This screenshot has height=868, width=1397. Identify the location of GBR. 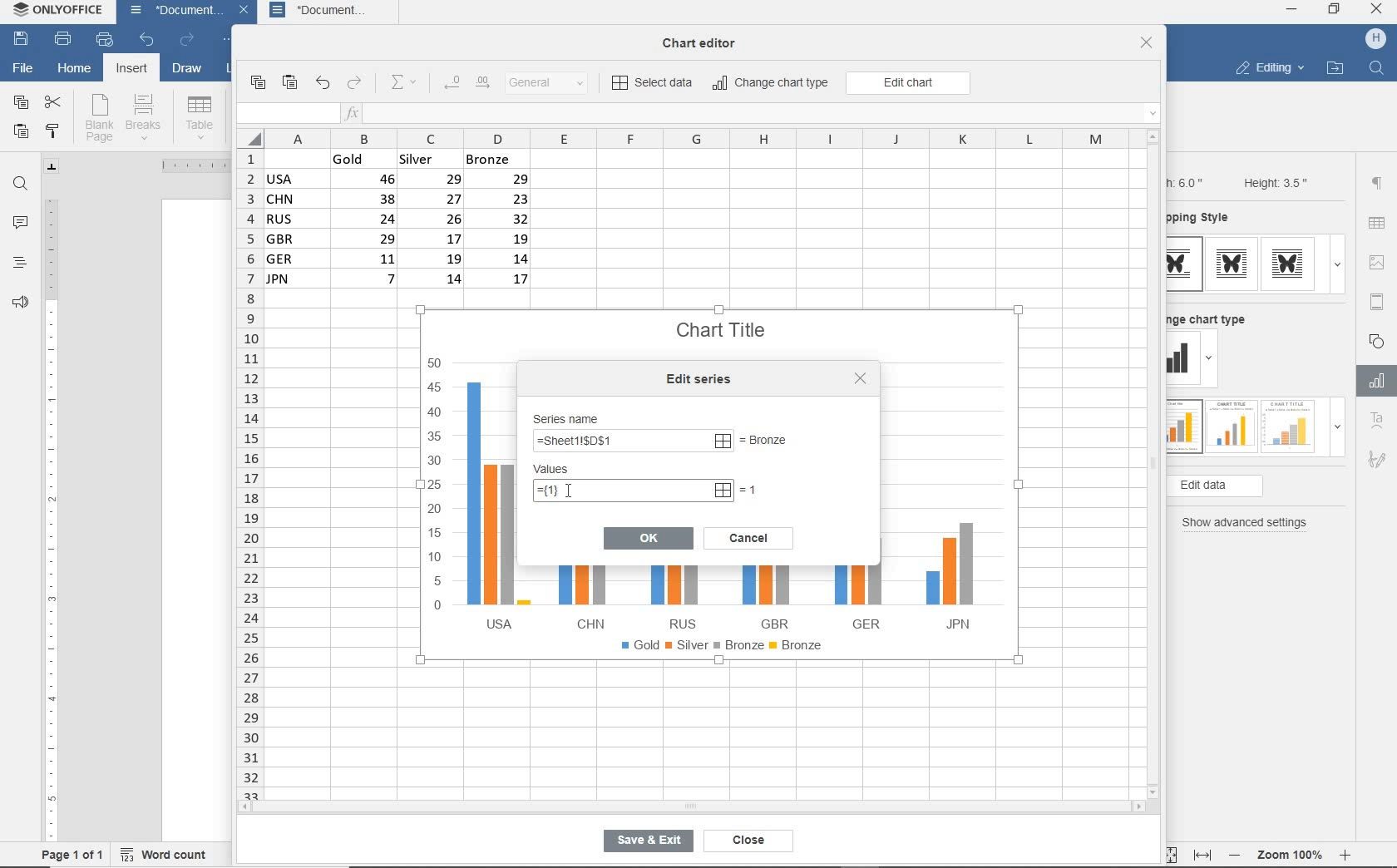
(769, 598).